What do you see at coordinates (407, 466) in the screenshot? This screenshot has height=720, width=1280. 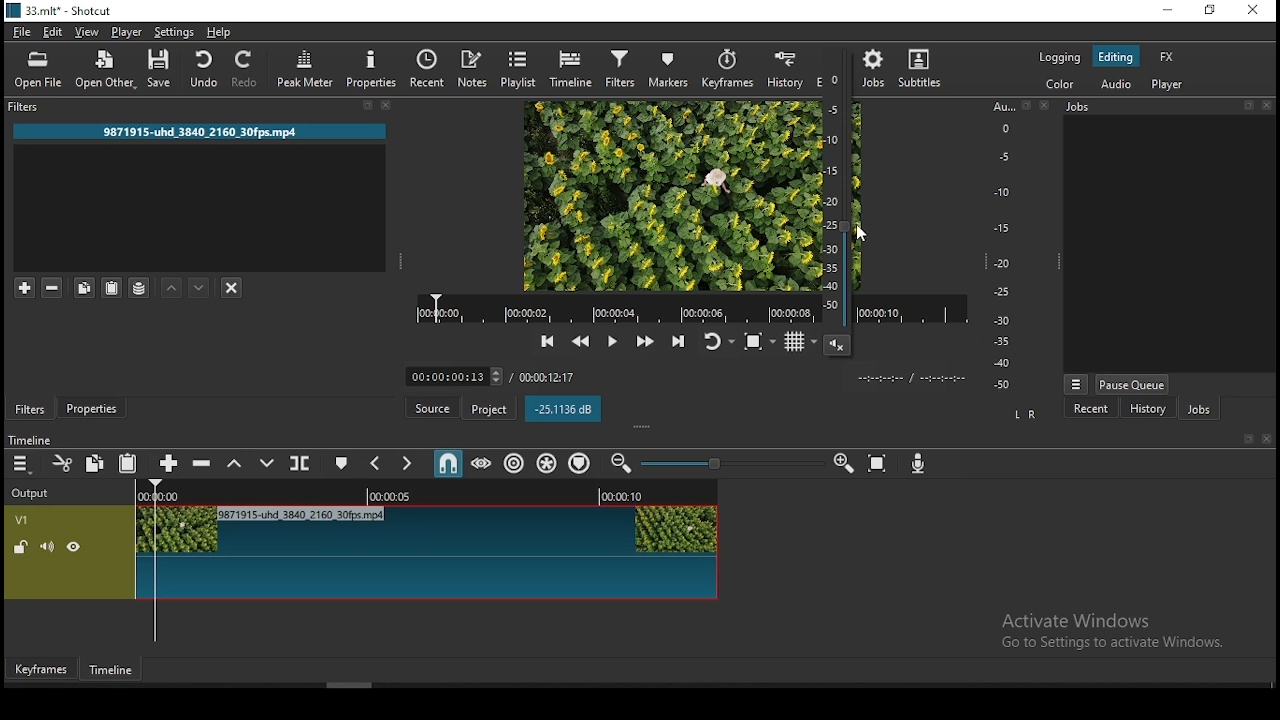 I see `next marker` at bounding box center [407, 466].